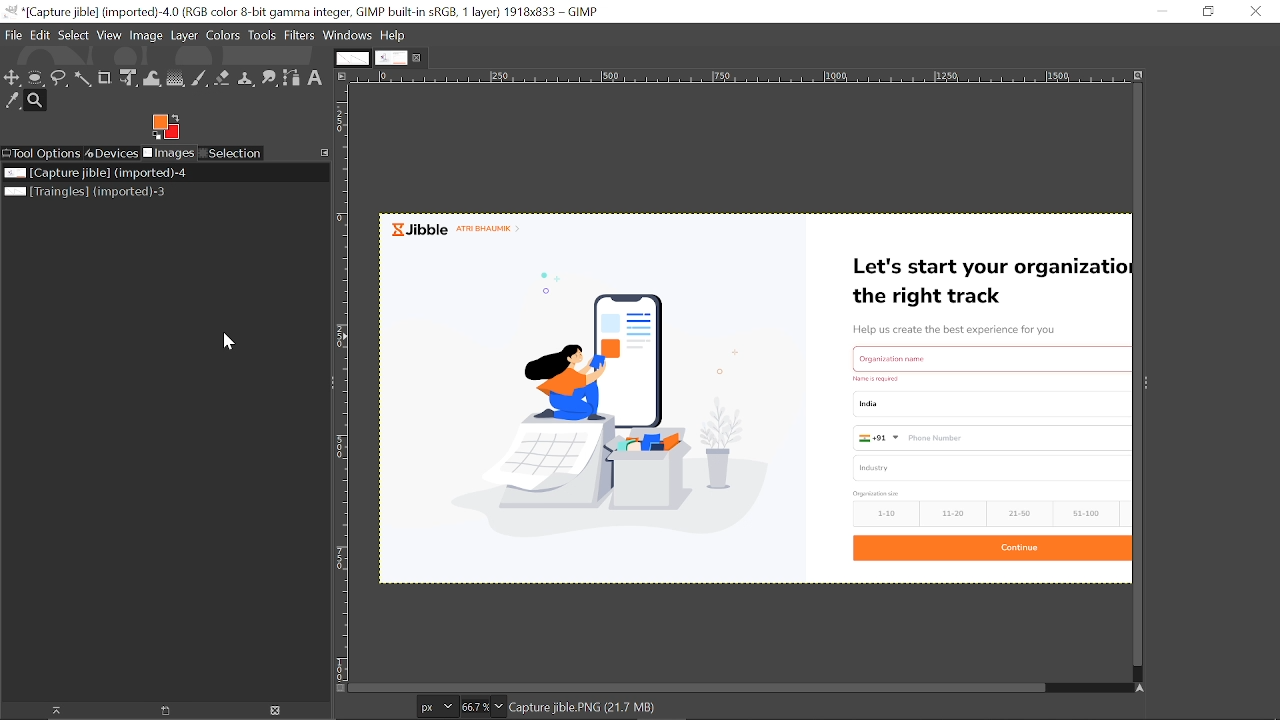 The image size is (1280, 720). What do you see at coordinates (273, 711) in the screenshot?
I see `Close this image` at bounding box center [273, 711].